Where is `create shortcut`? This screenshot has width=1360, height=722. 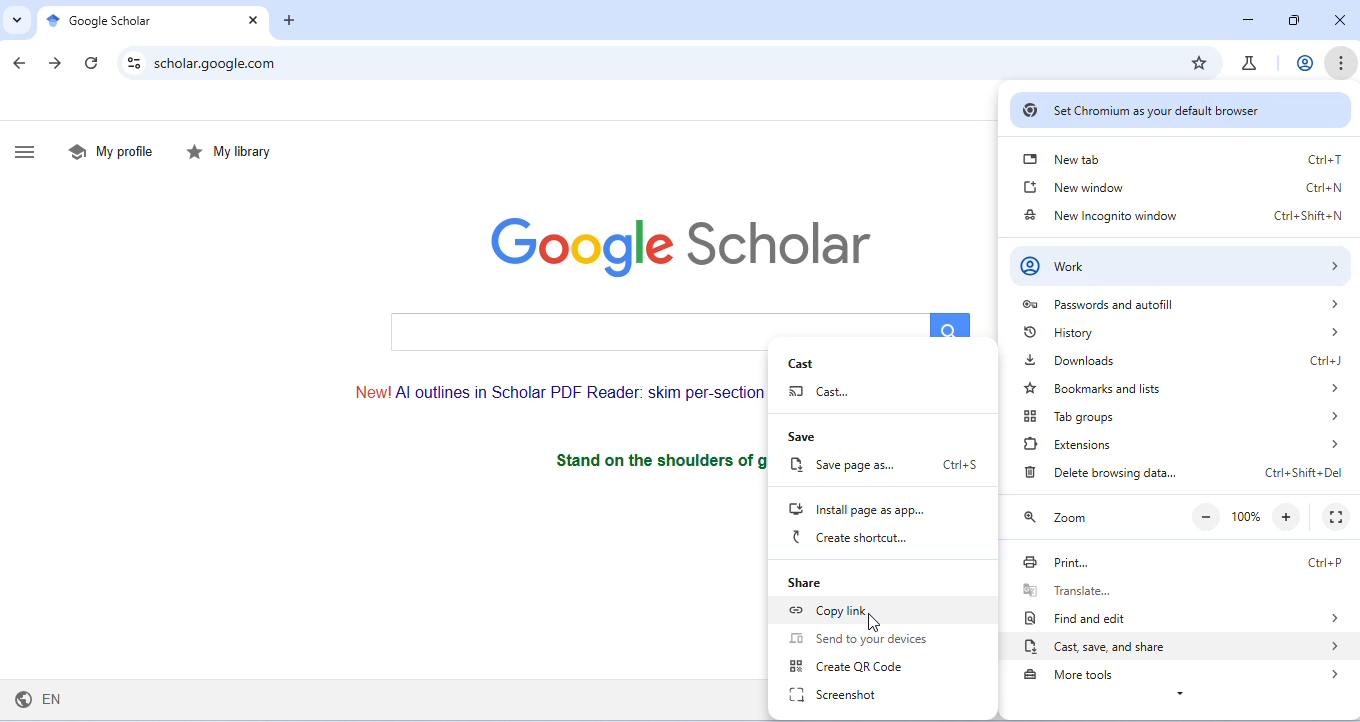
create shortcut is located at coordinates (858, 538).